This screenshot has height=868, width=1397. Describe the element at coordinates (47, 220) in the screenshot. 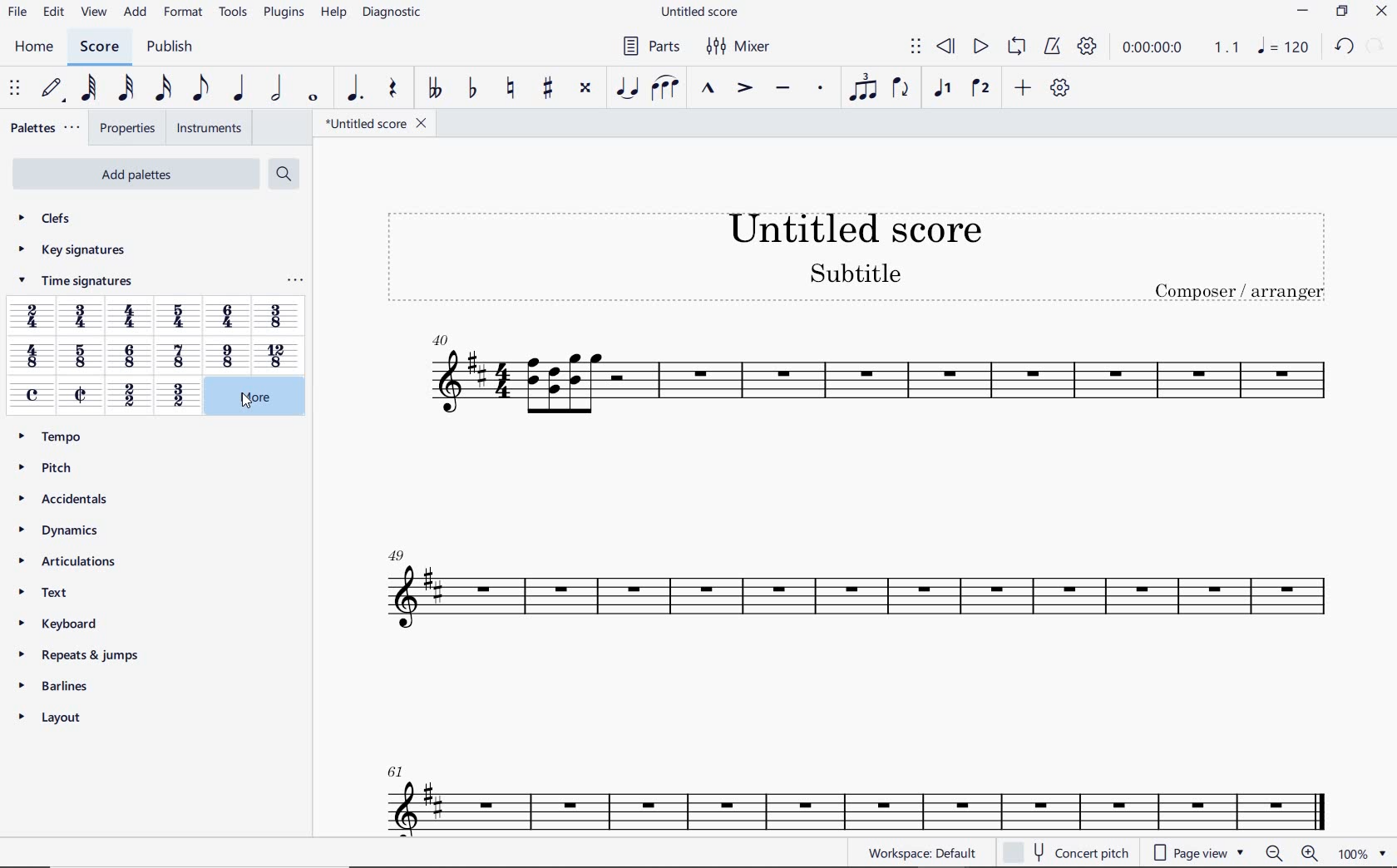

I see `CLEFS` at that location.